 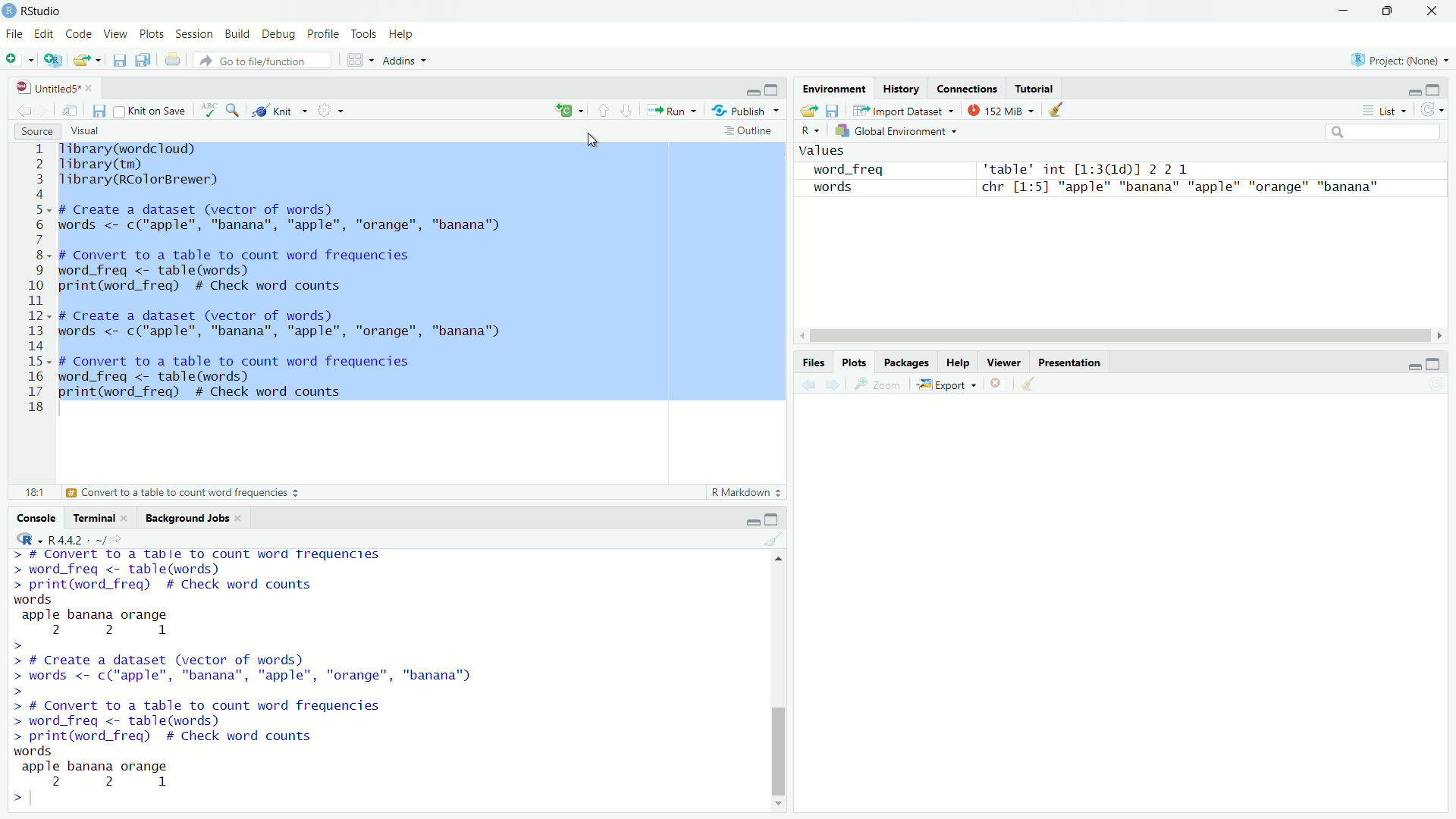 What do you see at coordinates (171, 59) in the screenshot?
I see `Print the current file` at bounding box center [171, 59].